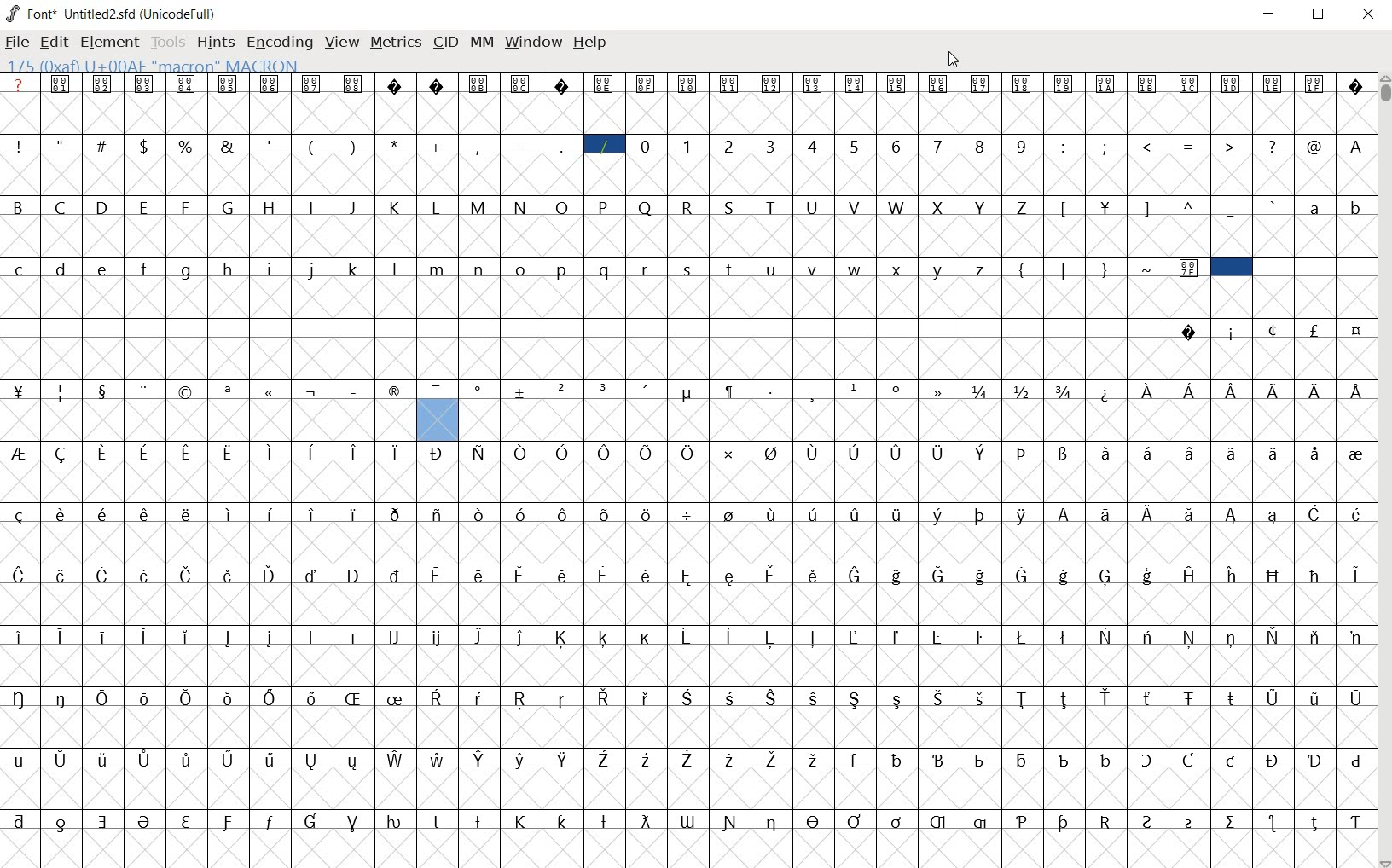  What do you see at coordinates (983, 514) in the screenshot?
I see `Symbol` at bounding box center [983, 514].